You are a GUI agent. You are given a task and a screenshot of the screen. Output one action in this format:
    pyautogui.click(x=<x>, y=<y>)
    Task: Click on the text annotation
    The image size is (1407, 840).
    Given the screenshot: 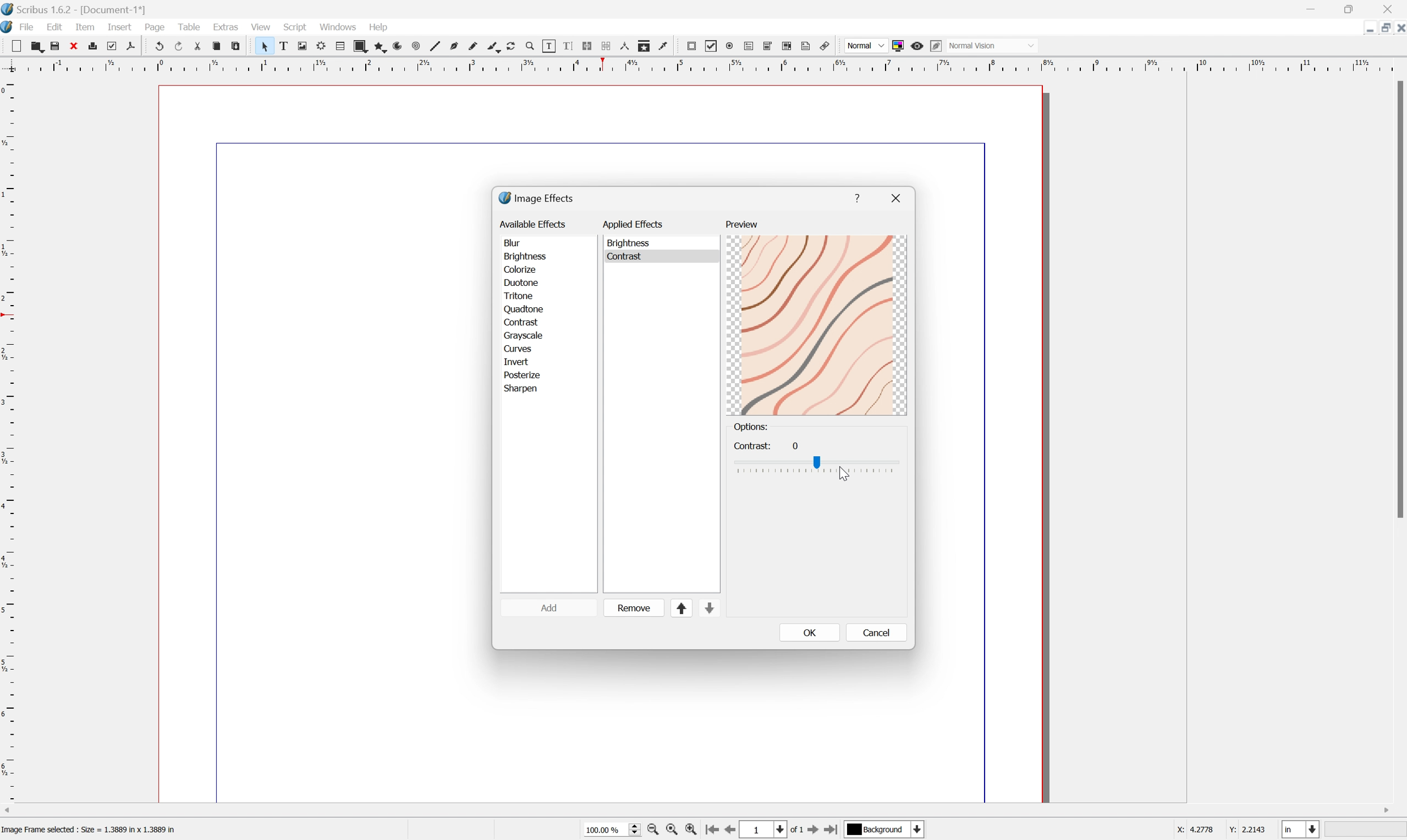 What is the action you would take?
    pyautogui.click(x=807, y=46)
    